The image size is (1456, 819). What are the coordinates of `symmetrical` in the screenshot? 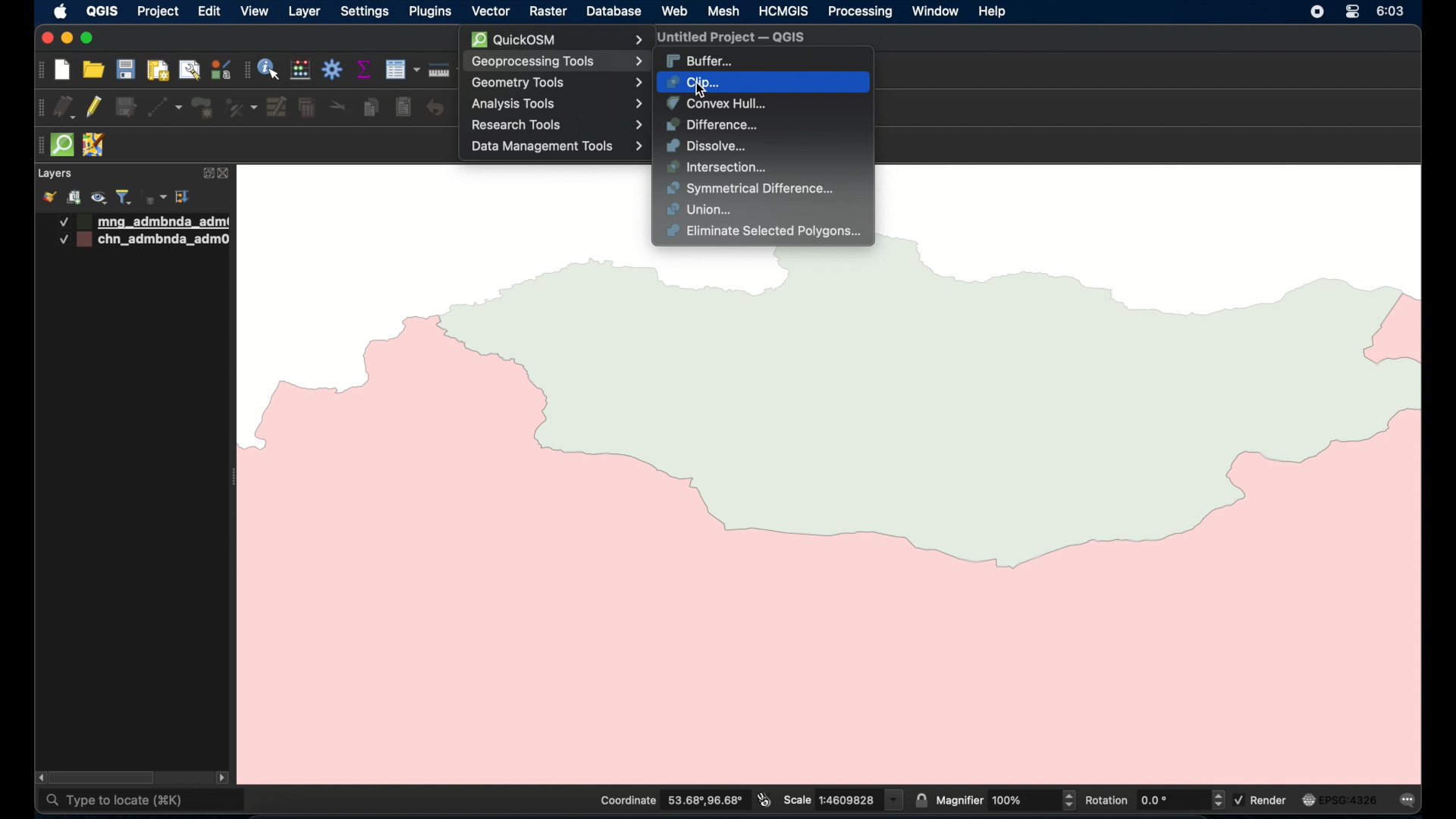 It's located at (752, 189).